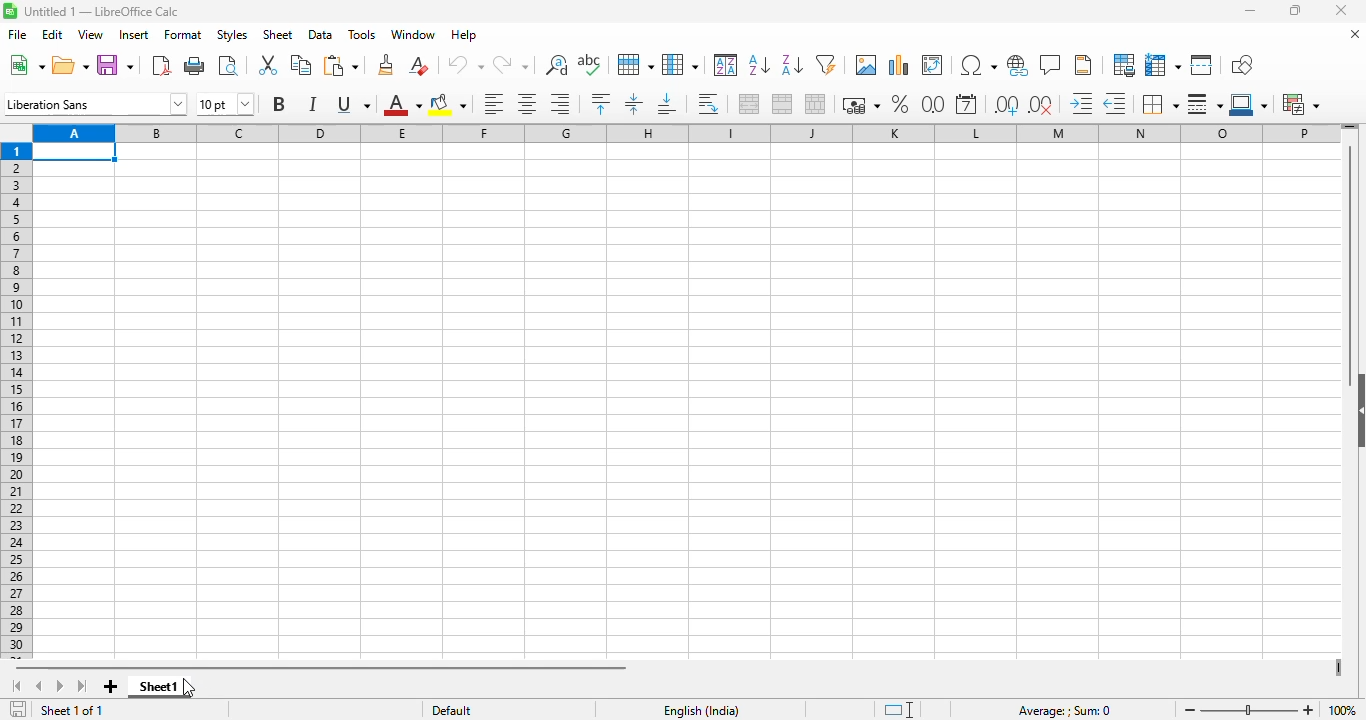  Describe the element at coordinates (933, 103) in the screenshot. I see `format as number` at that location.